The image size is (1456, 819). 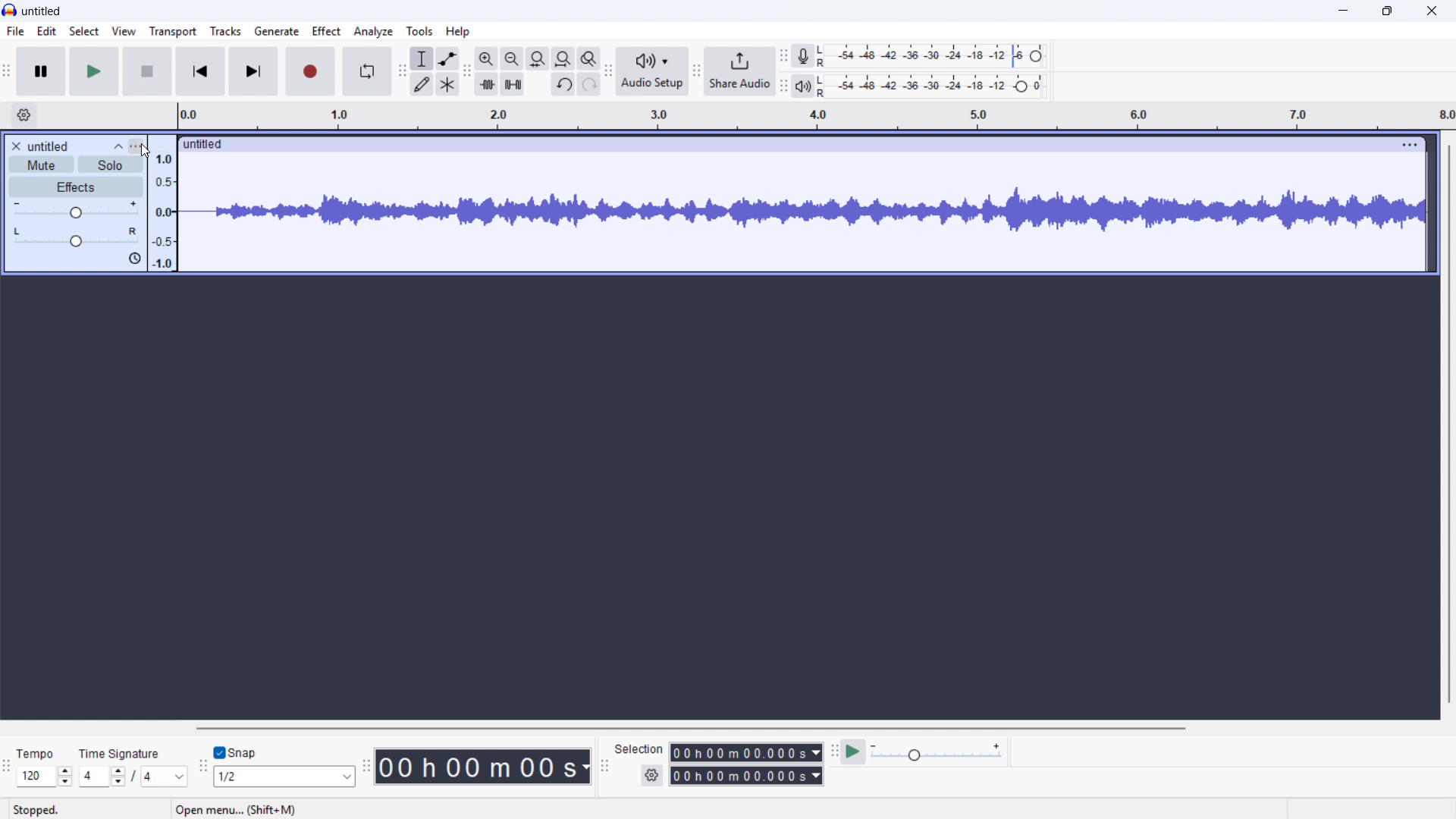 What do you see at coordinates (784, 87) in the screenshot?
I see `Playback metre toolbar ` at bounding box center [784, 87].